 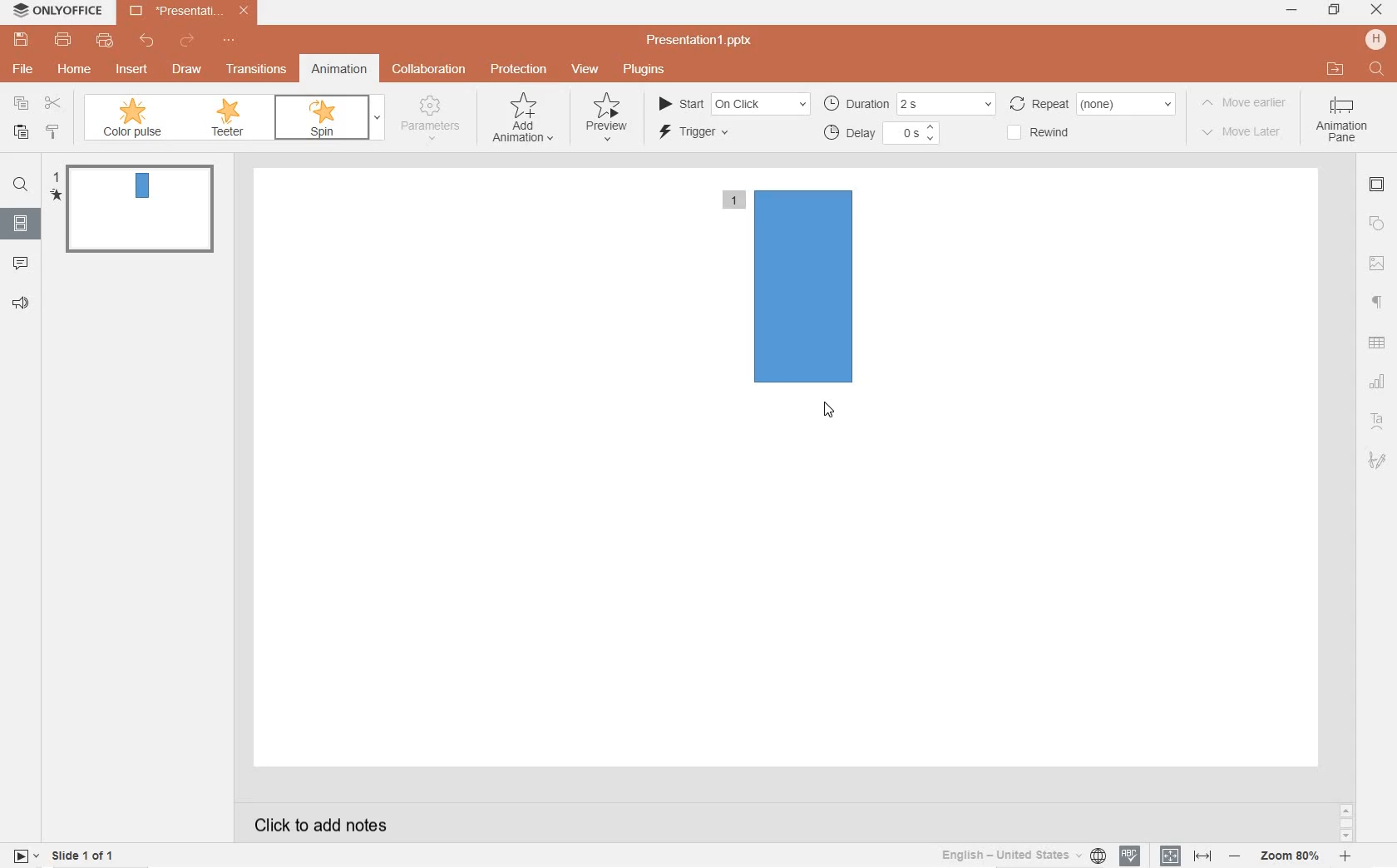 I want to click on print, so click(x=64, y=40).